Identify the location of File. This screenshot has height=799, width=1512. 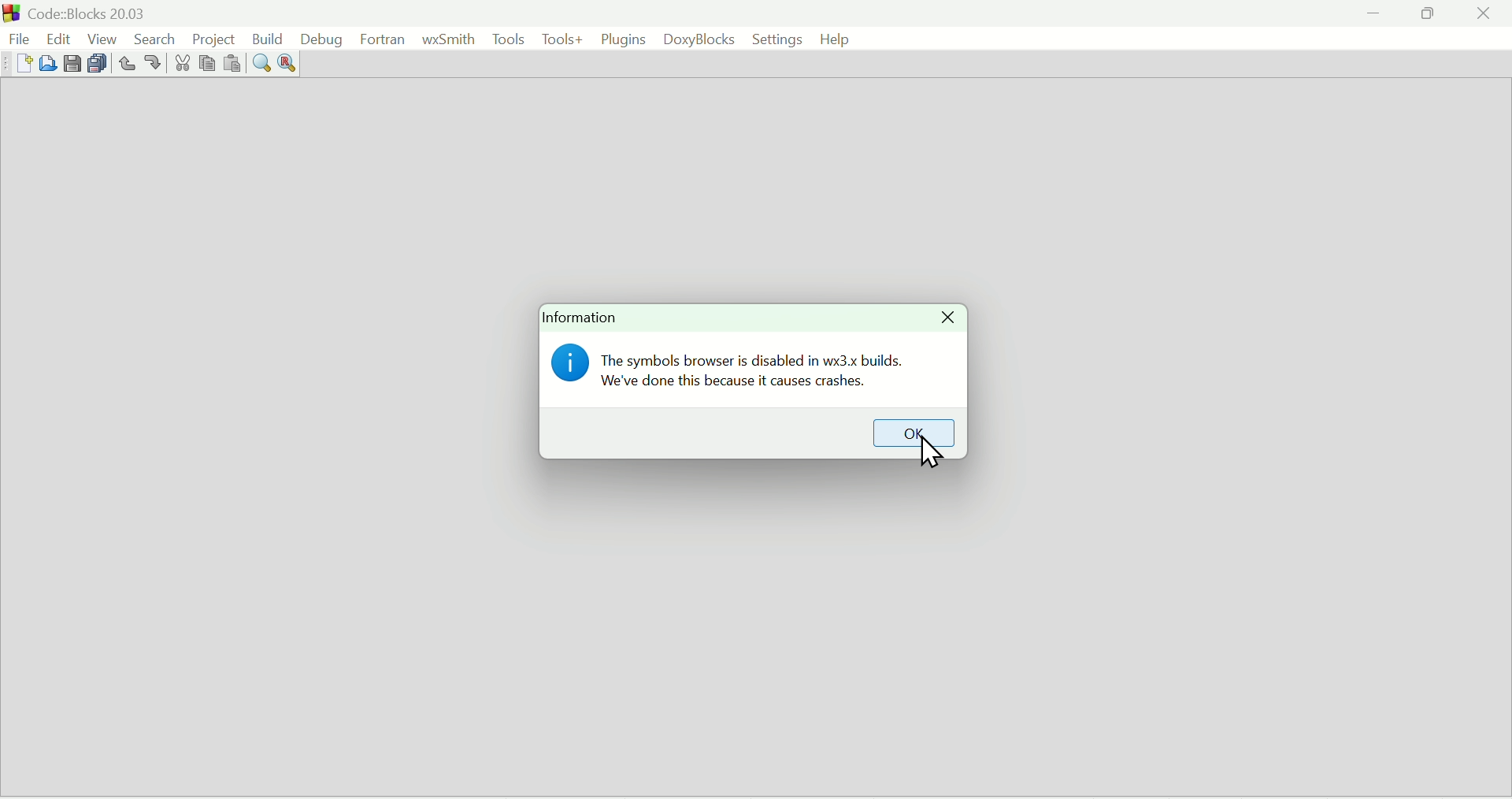
(17, 36).